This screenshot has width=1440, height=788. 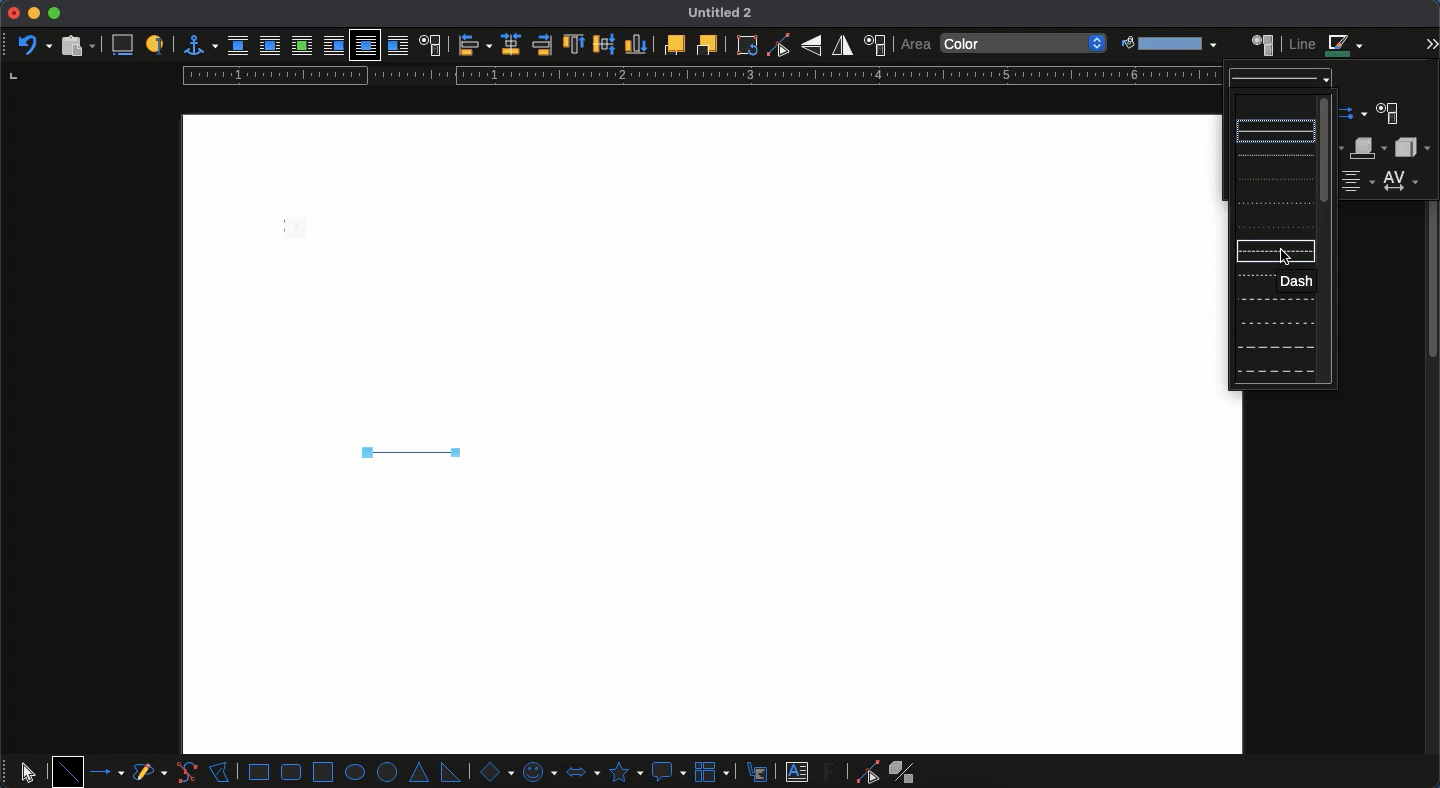 What do you see at coordinates (1273, 299) in the screenshot?
I see `Long dash` at bounding box center [1273, 299].